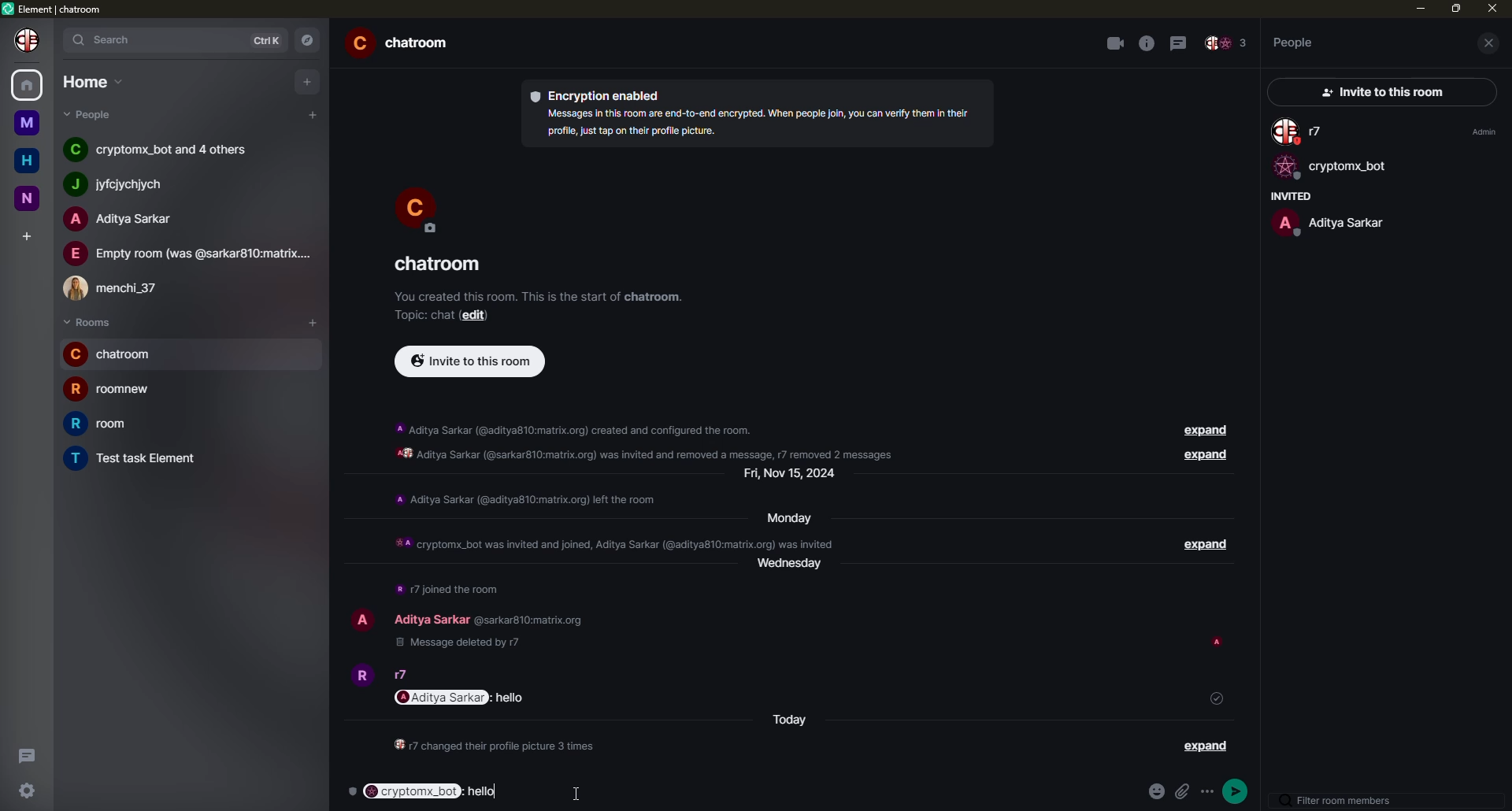 This screenshot has height=811, width=1512. What do you see at coordinates (33, 197) in the screenshot?
I see `n` at bounding box center [33, 197].